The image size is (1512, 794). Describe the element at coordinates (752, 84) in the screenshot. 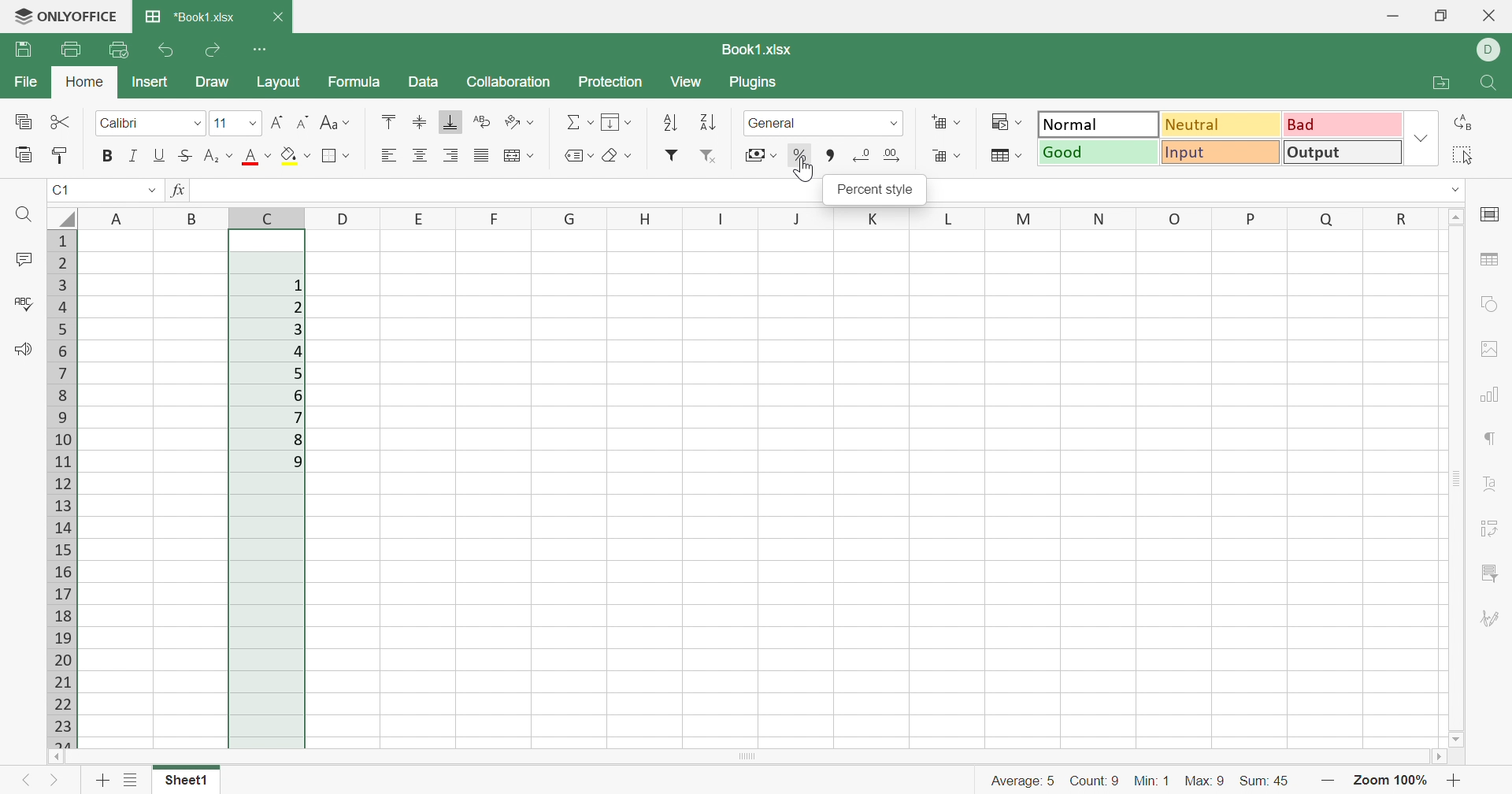

I see `Plugins` at that location.